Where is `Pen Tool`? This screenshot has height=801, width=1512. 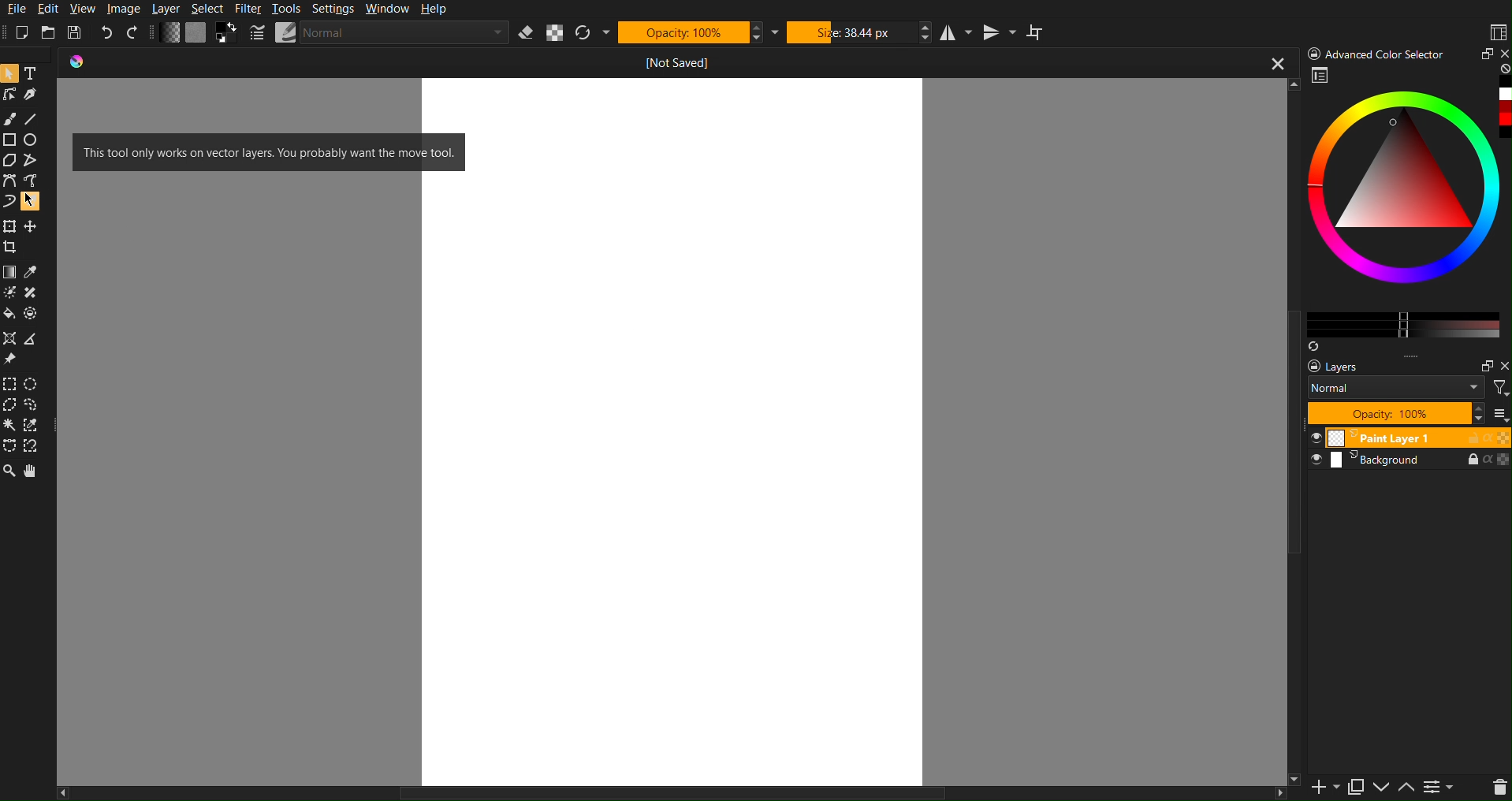
Pen Tool is located at coordinates (35, 95).